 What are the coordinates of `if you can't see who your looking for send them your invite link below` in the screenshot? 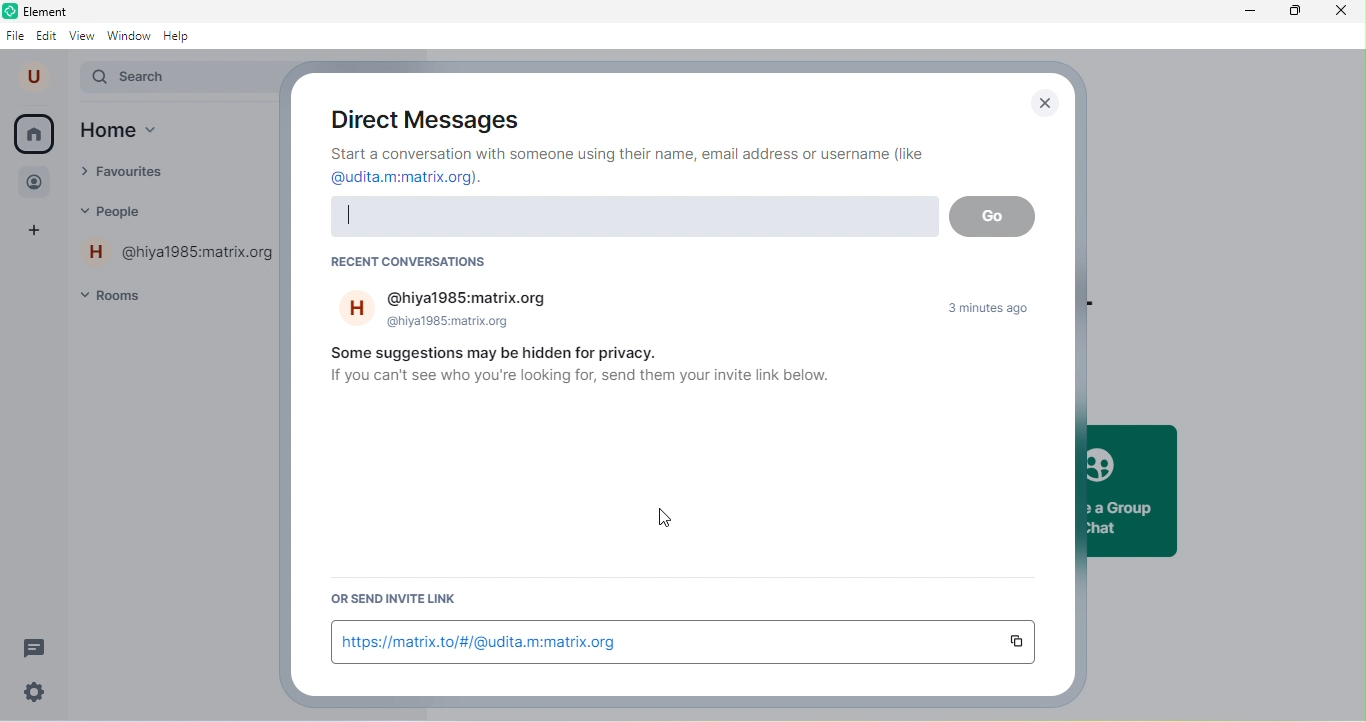 It's located at (581, 383).